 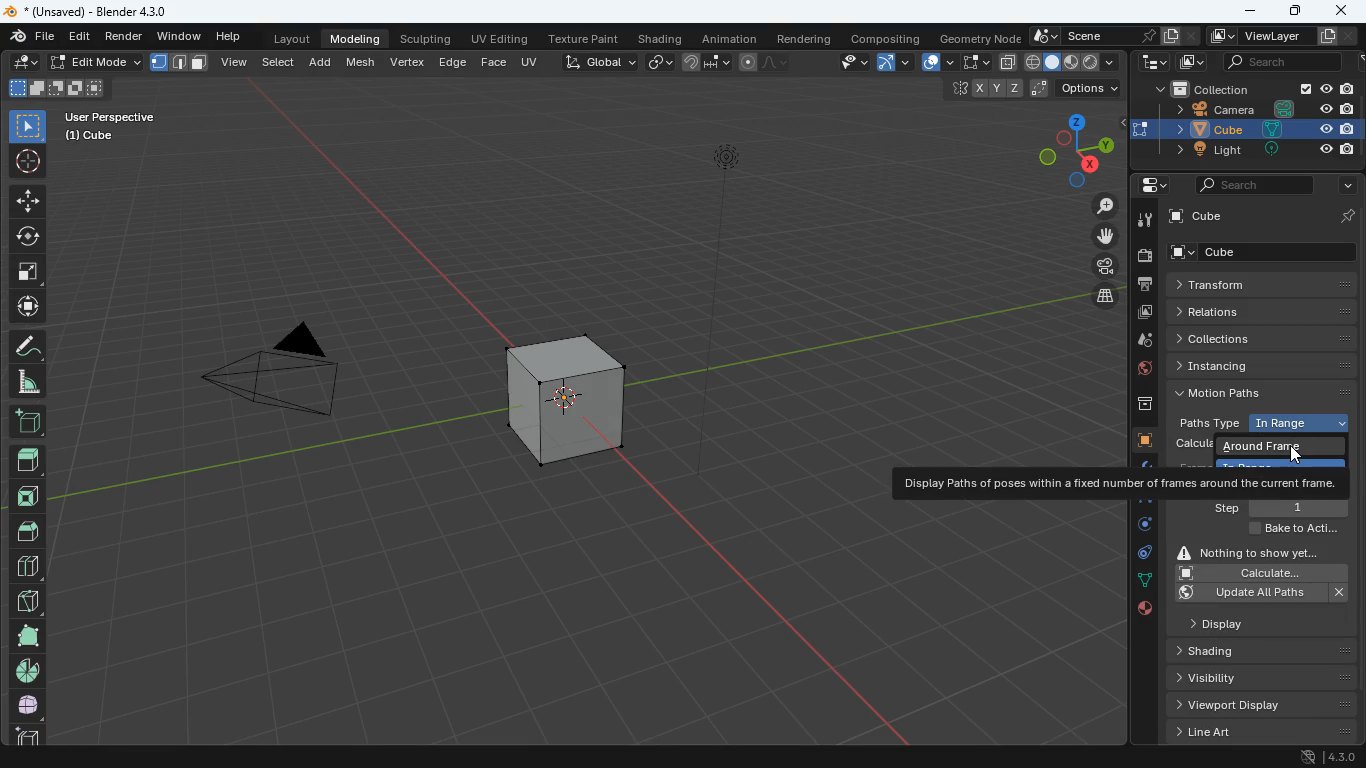 What do you see at coordinates (531, 60) in the screenshot?
I see `uv` at bounding box center [531, 60].